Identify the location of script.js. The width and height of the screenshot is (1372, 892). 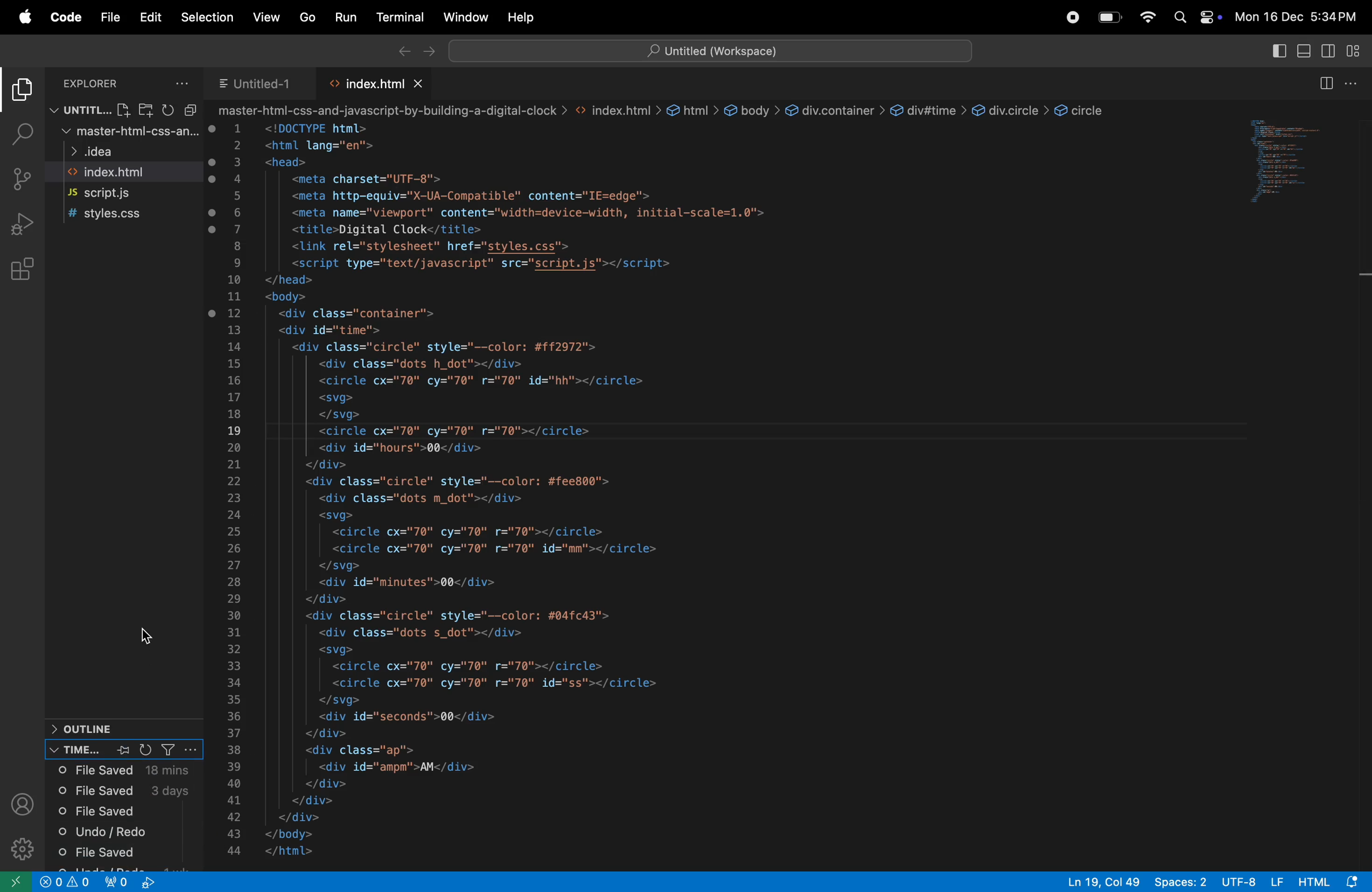
(107, 194).